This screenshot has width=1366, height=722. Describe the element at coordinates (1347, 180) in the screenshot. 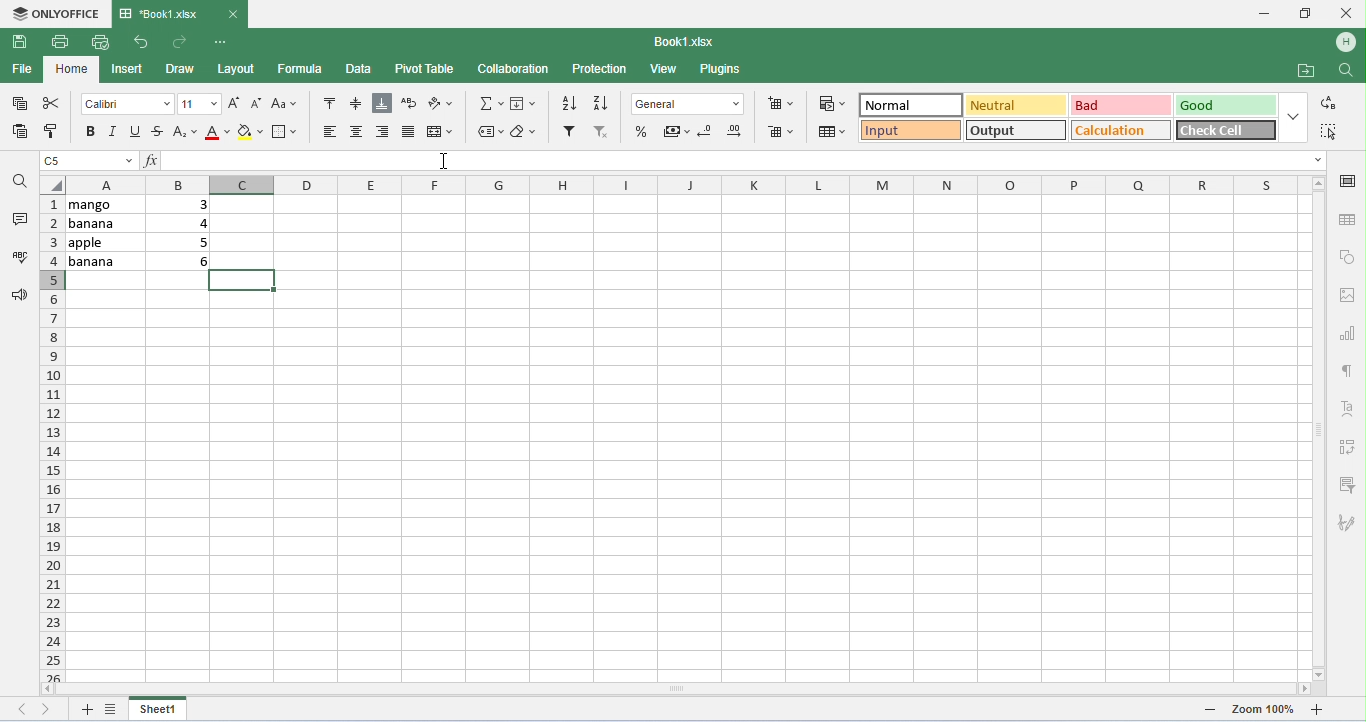

I see `cell settings` at that location.